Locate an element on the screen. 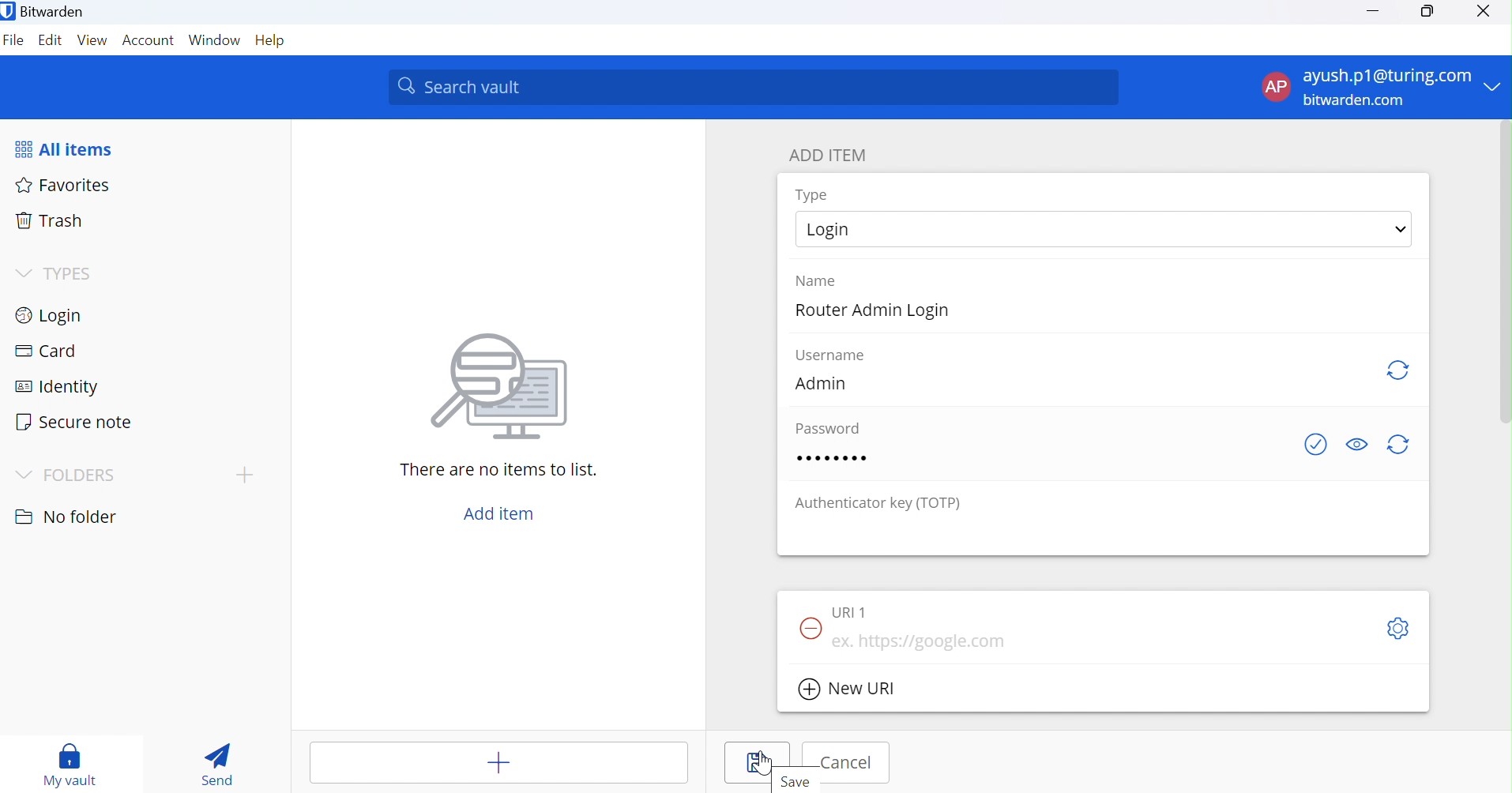 Image resolution: width=1512 pixels, height=793 pixels. All items is located at coordinates (74, 147).